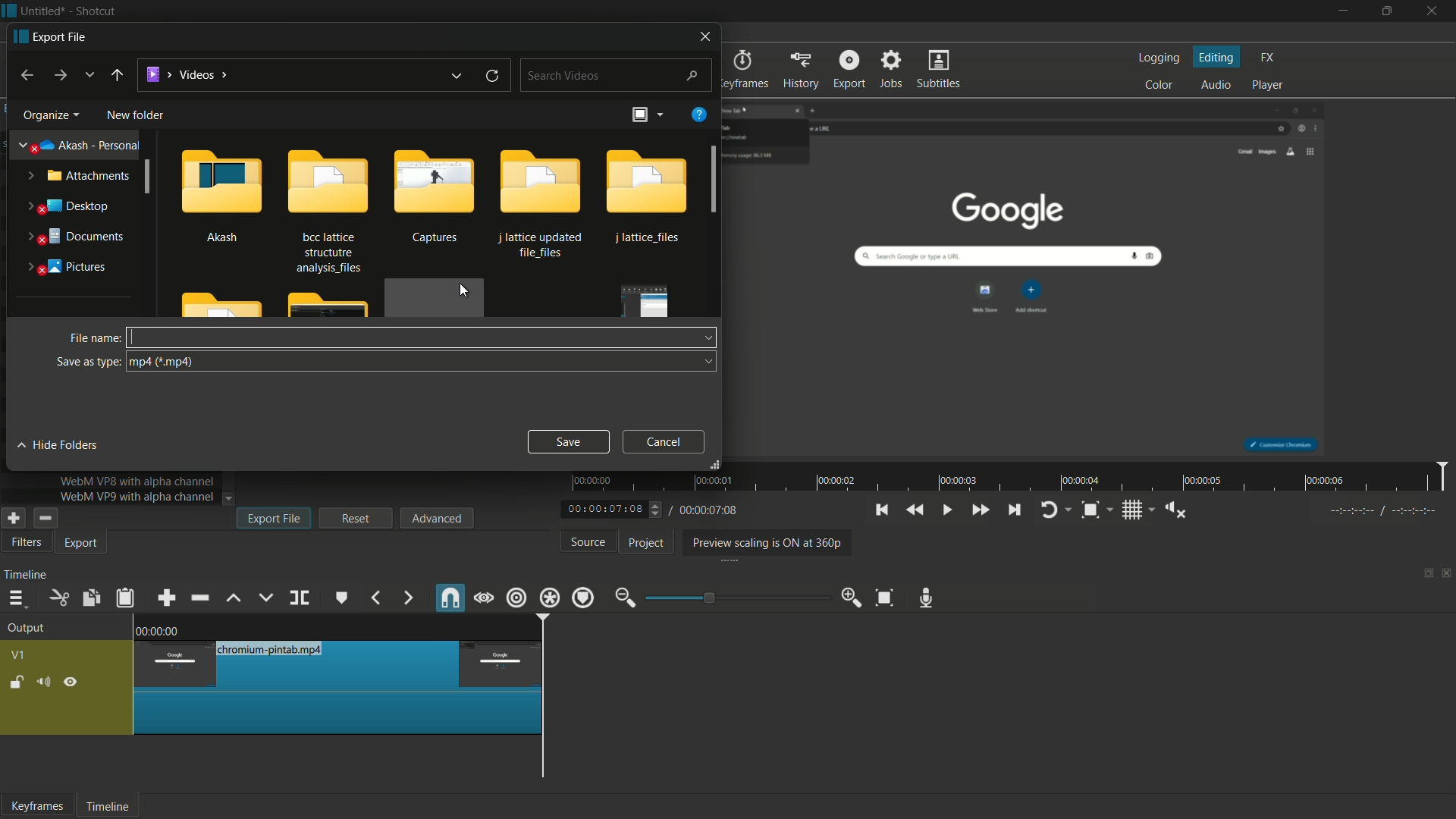 The width and height of the screenshot is (1456, 819). I want to click on toggle grid, so click(1134, 510).